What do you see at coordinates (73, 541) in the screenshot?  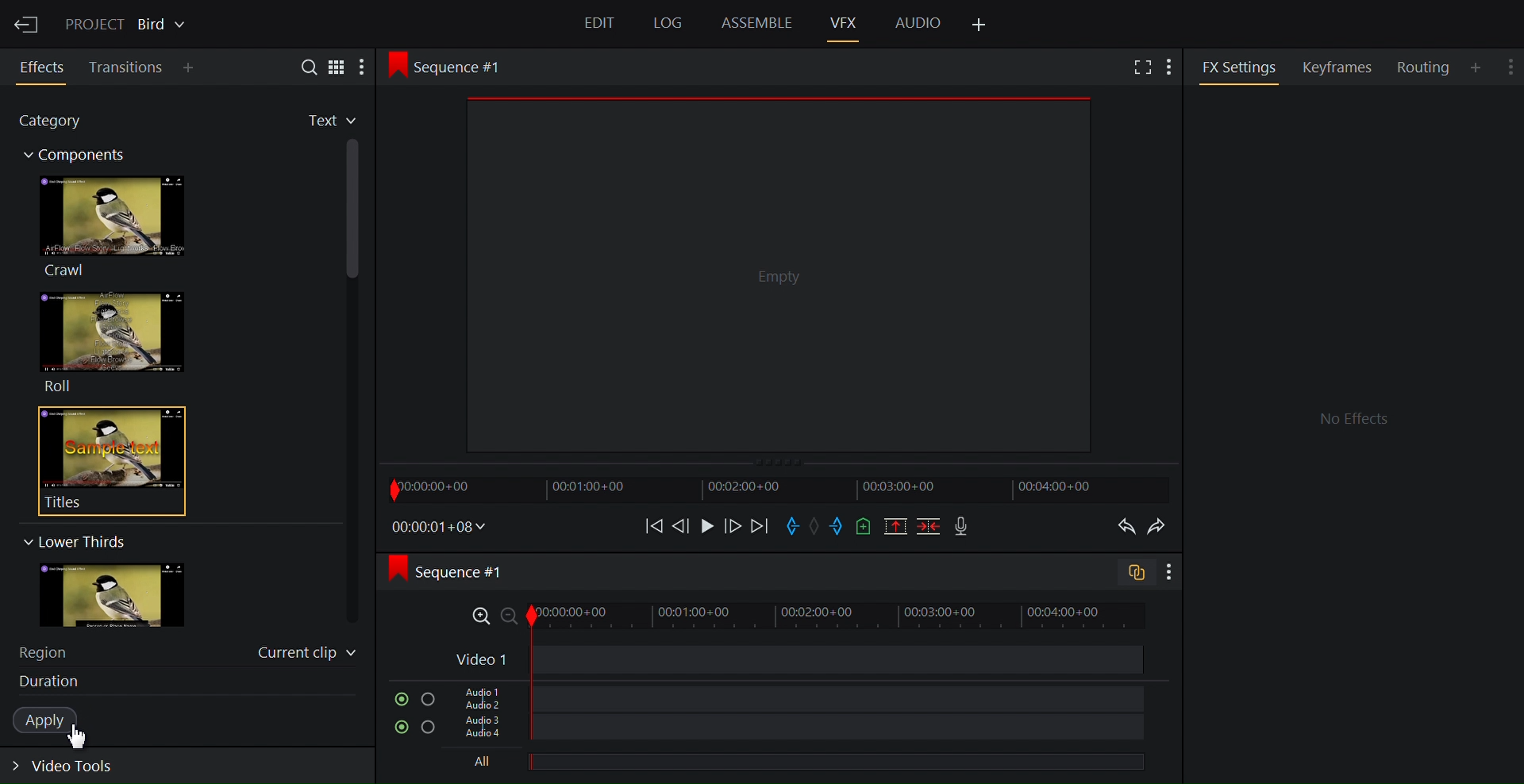 I see `Lower Thirs` at bounding box center [73, 541].